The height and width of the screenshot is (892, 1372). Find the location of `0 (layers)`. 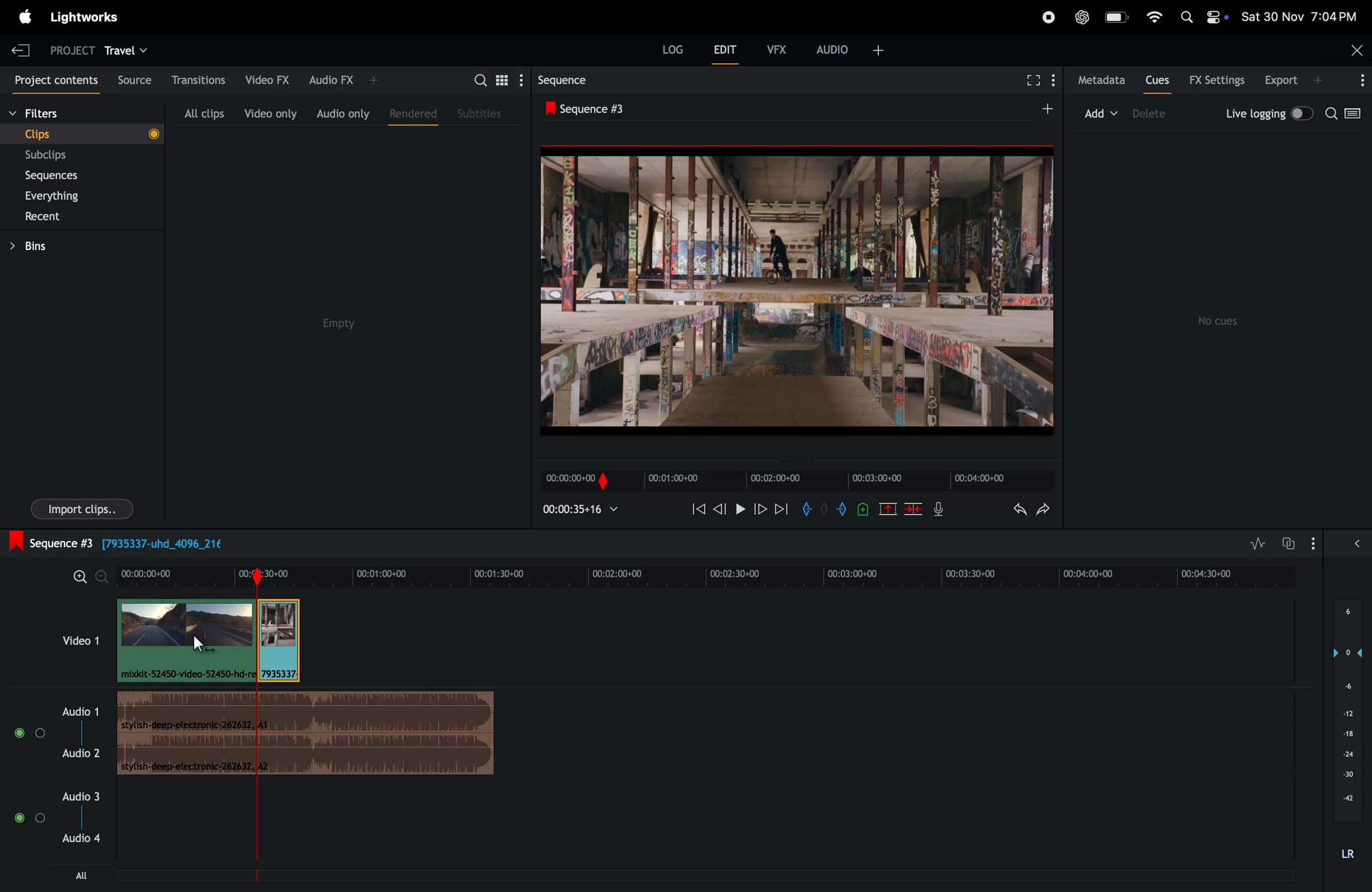

0 (layers) is located at coordinates (1343, 652).